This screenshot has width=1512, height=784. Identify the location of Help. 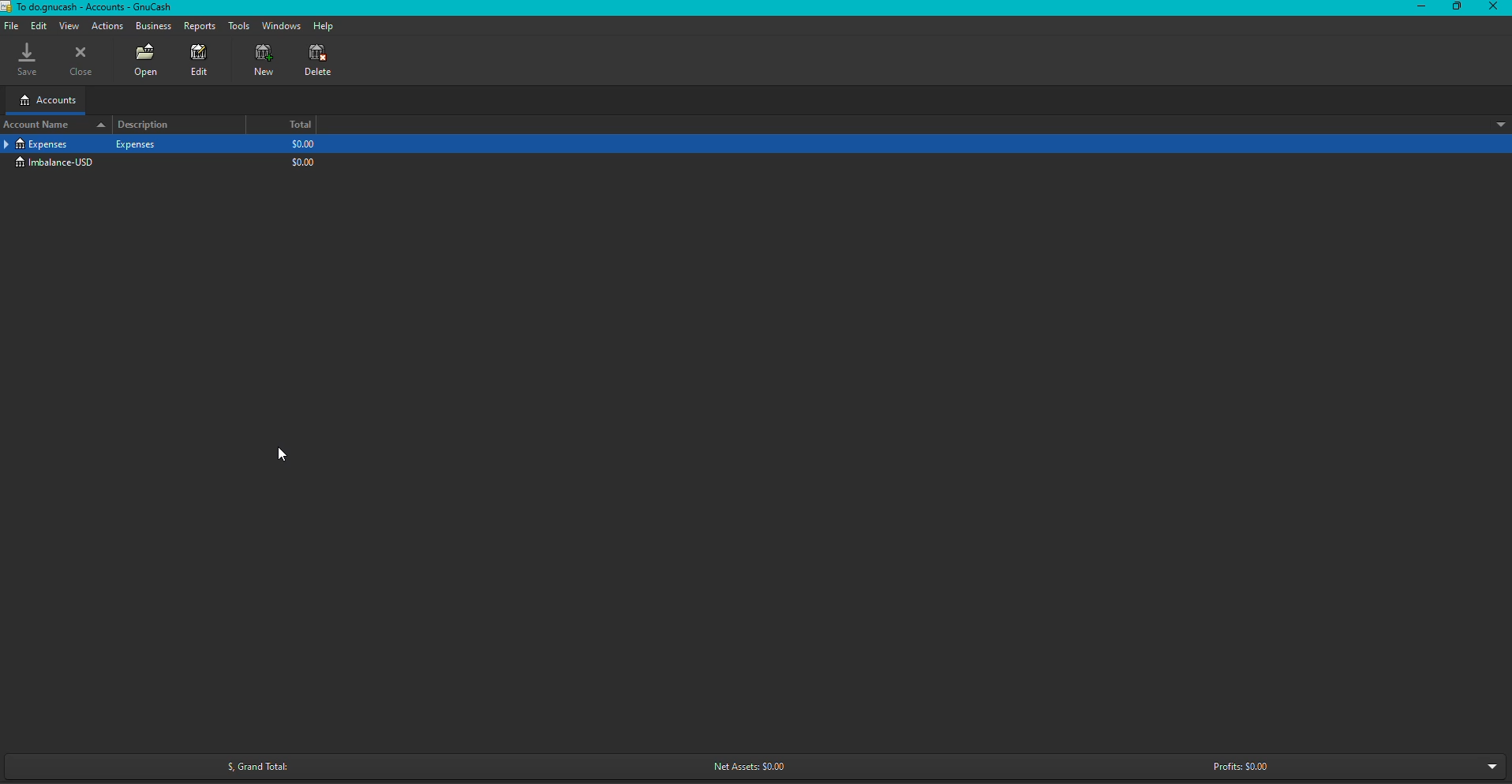
(324, 25).